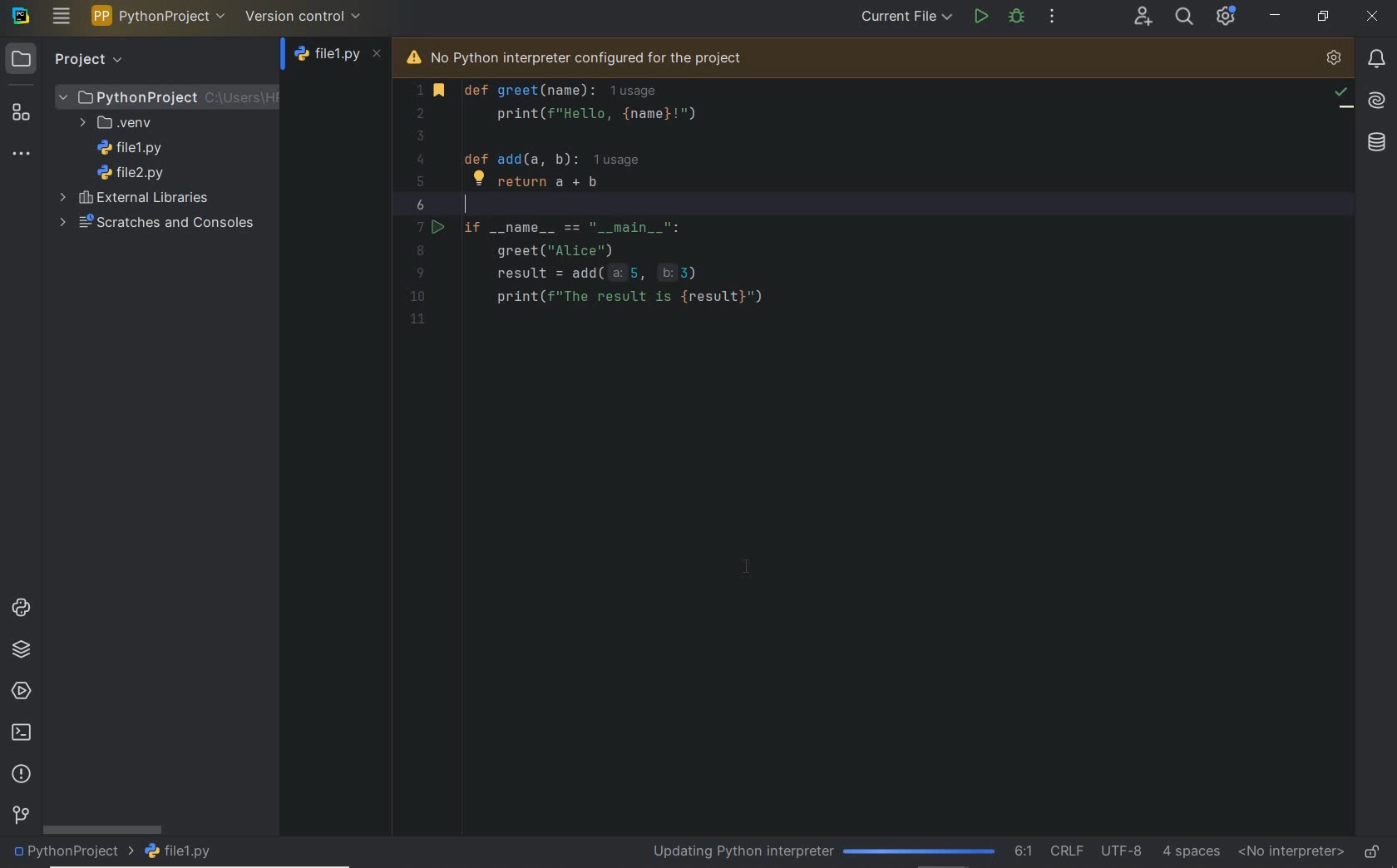 The height and width of the screenshot is (868, 1397). I want to click on python consoles, so click(19, 607).